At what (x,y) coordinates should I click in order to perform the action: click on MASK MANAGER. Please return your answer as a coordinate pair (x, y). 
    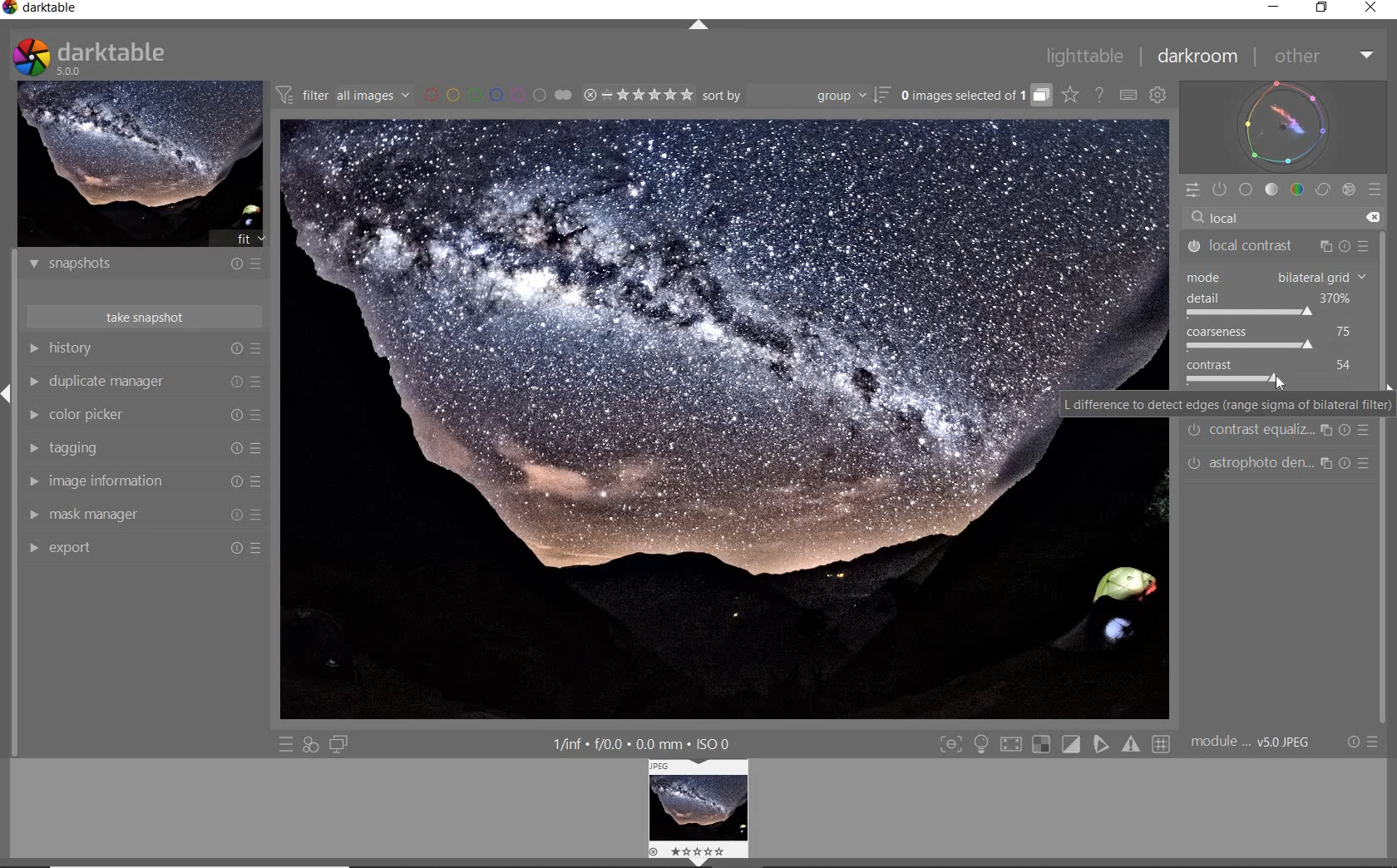
    Looking at the image, I should click on (33, 516).